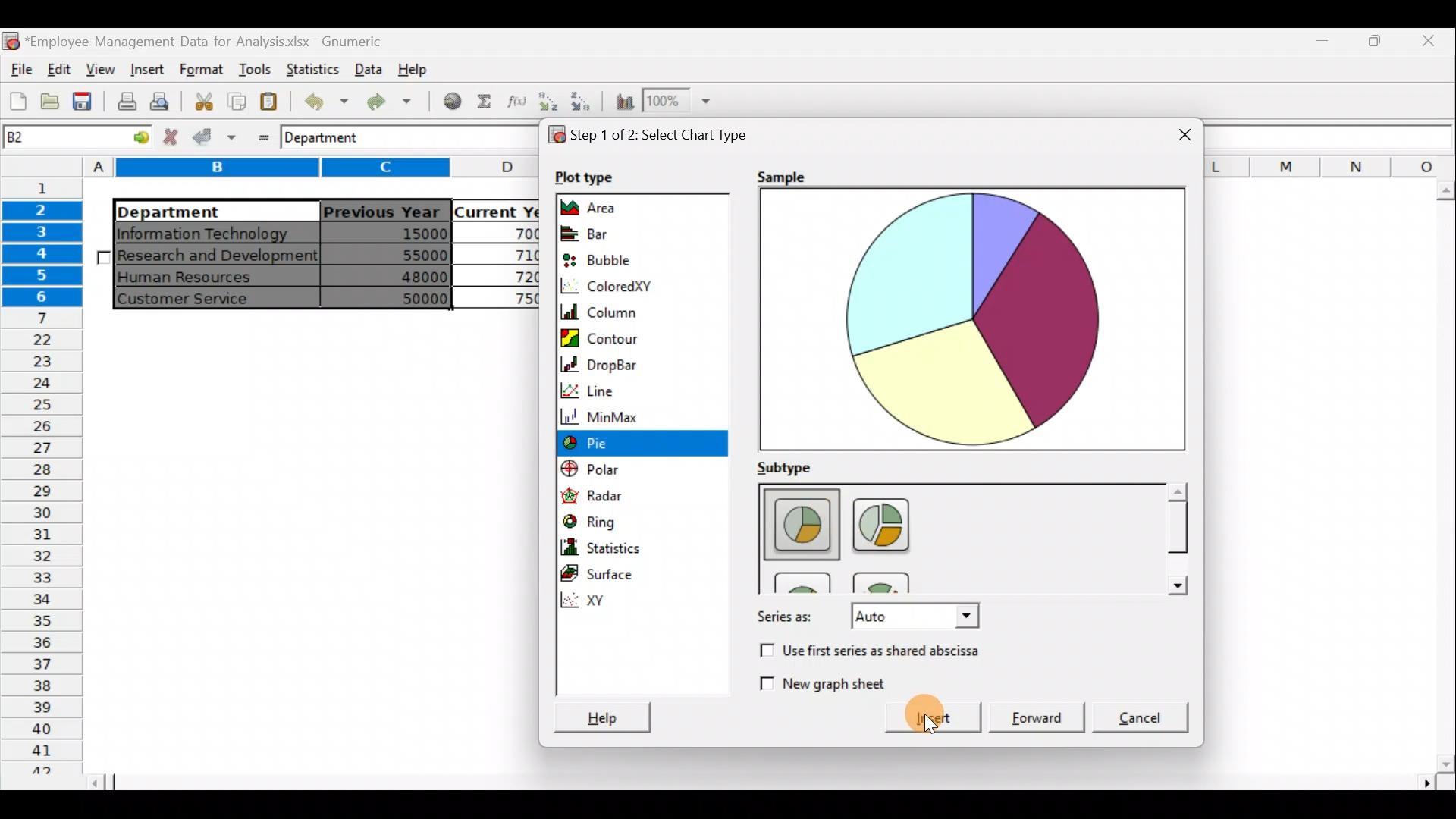 This screenshot has height=819, width=1456. What do you see at coordinates (199, 70) in the screenshot?
I see `Format` at bounding box center [199, 70].